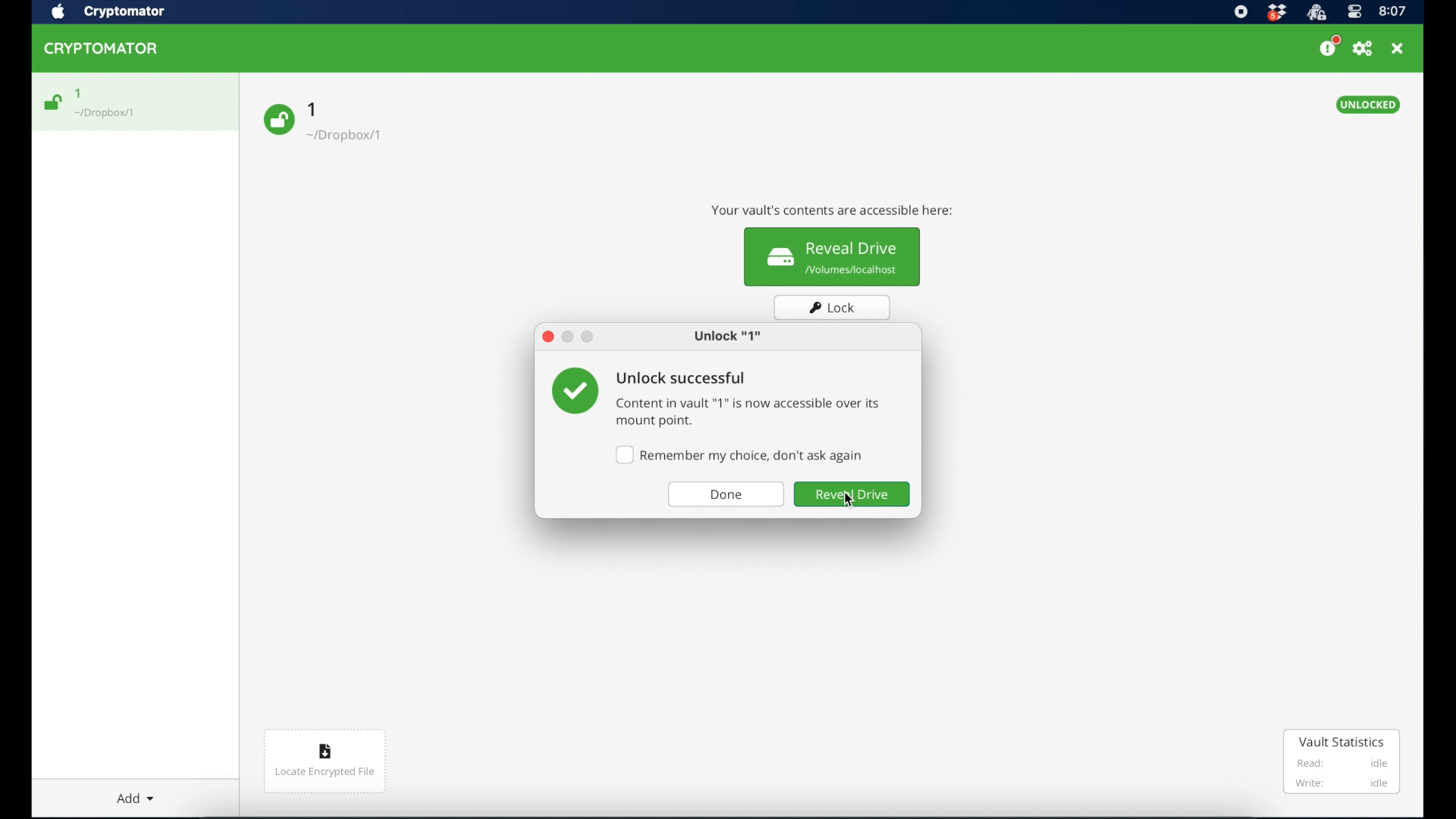 This screenshot has width=1456, height=819. What do you see at coordinates (54, 102) in the screenshot?
I see `unlocked icon` at bounding box center [54, 102].